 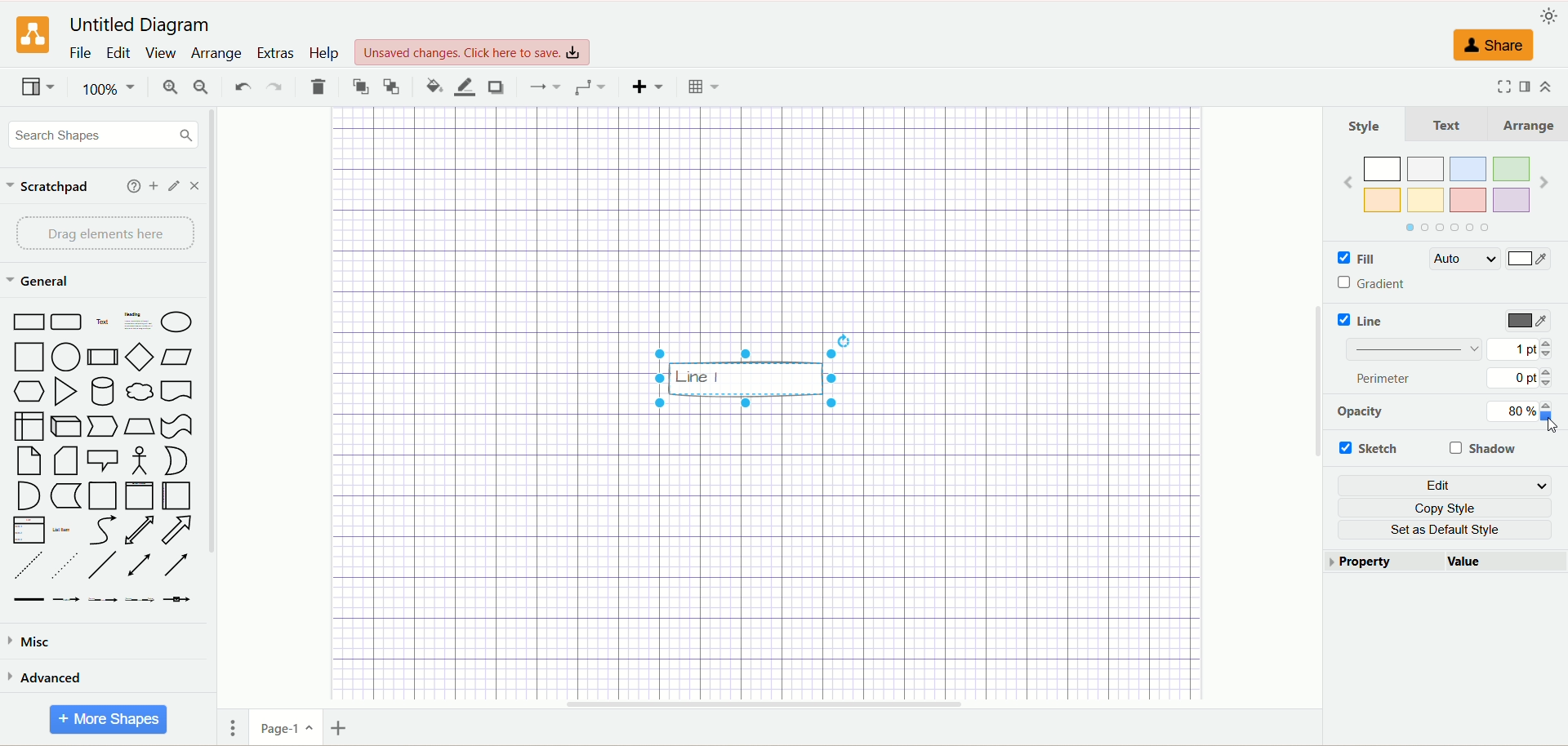 What do you see at coordinates (359, 86) in the screenshot?
I see `to front` at bounding box center [359, 86].